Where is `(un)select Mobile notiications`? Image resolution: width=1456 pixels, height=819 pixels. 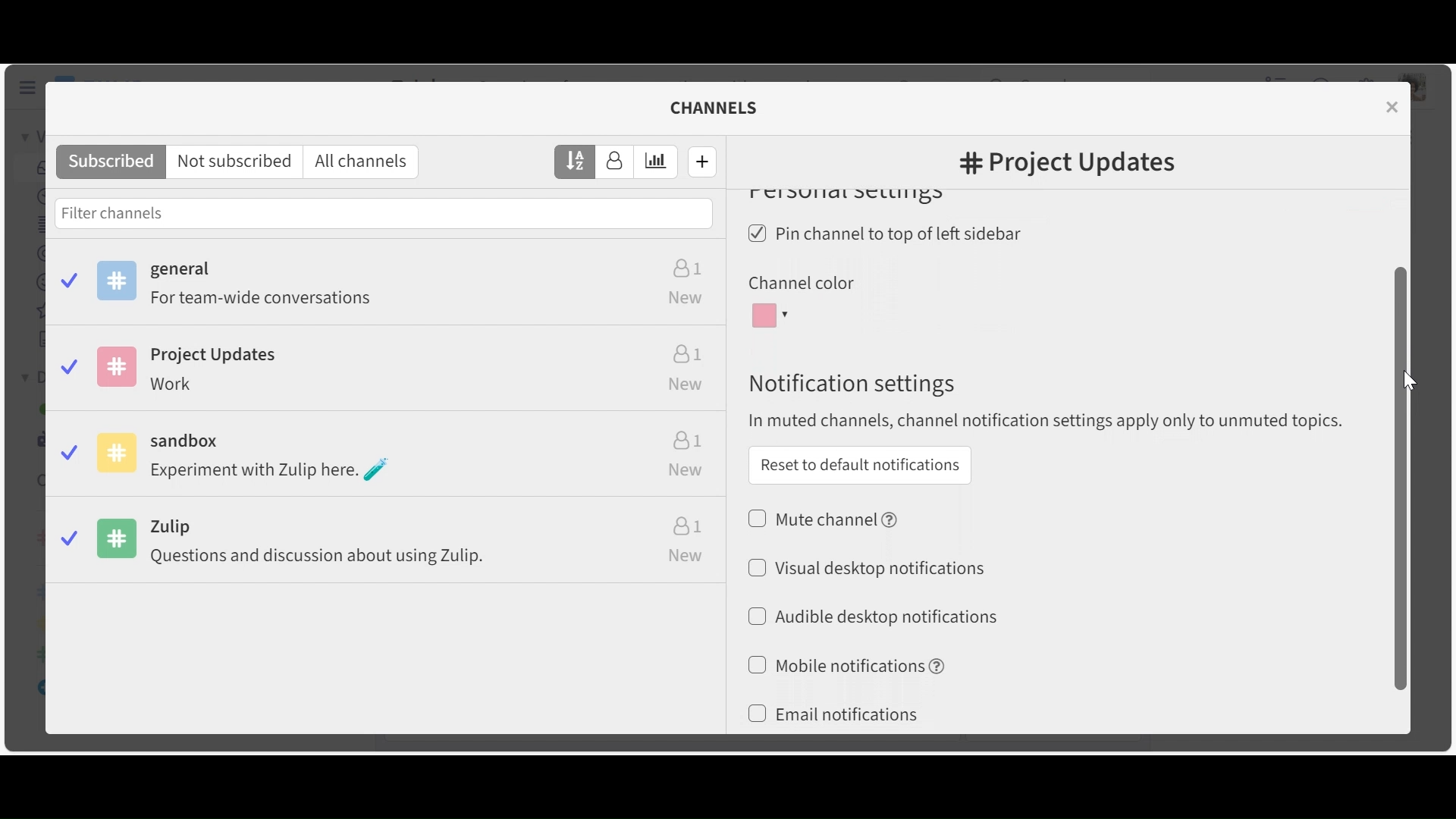 (un)select Mobile notiications is located at coordinates (845, 665).